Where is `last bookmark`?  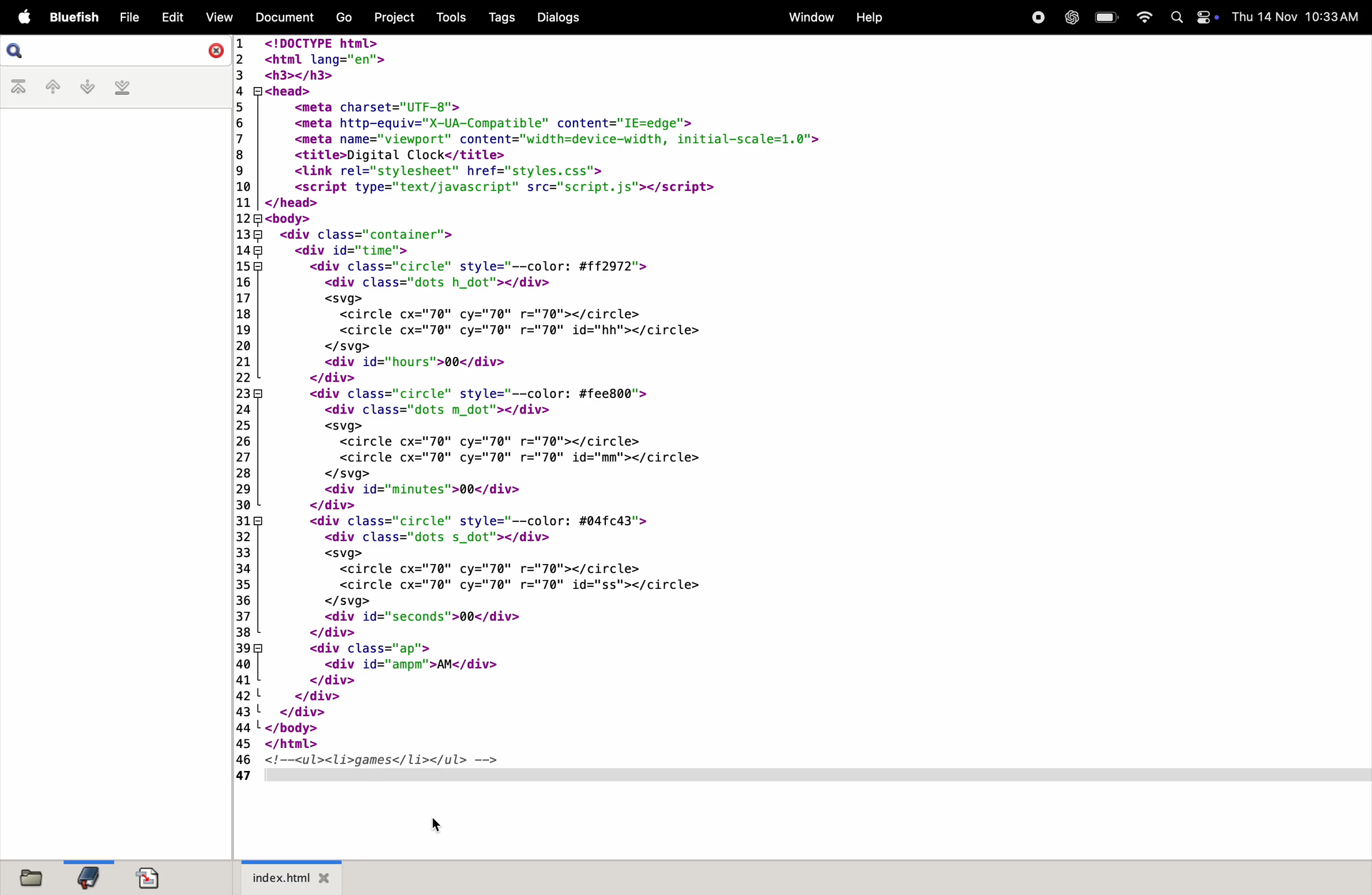 last bookmark is located at coordinates (123, 89).